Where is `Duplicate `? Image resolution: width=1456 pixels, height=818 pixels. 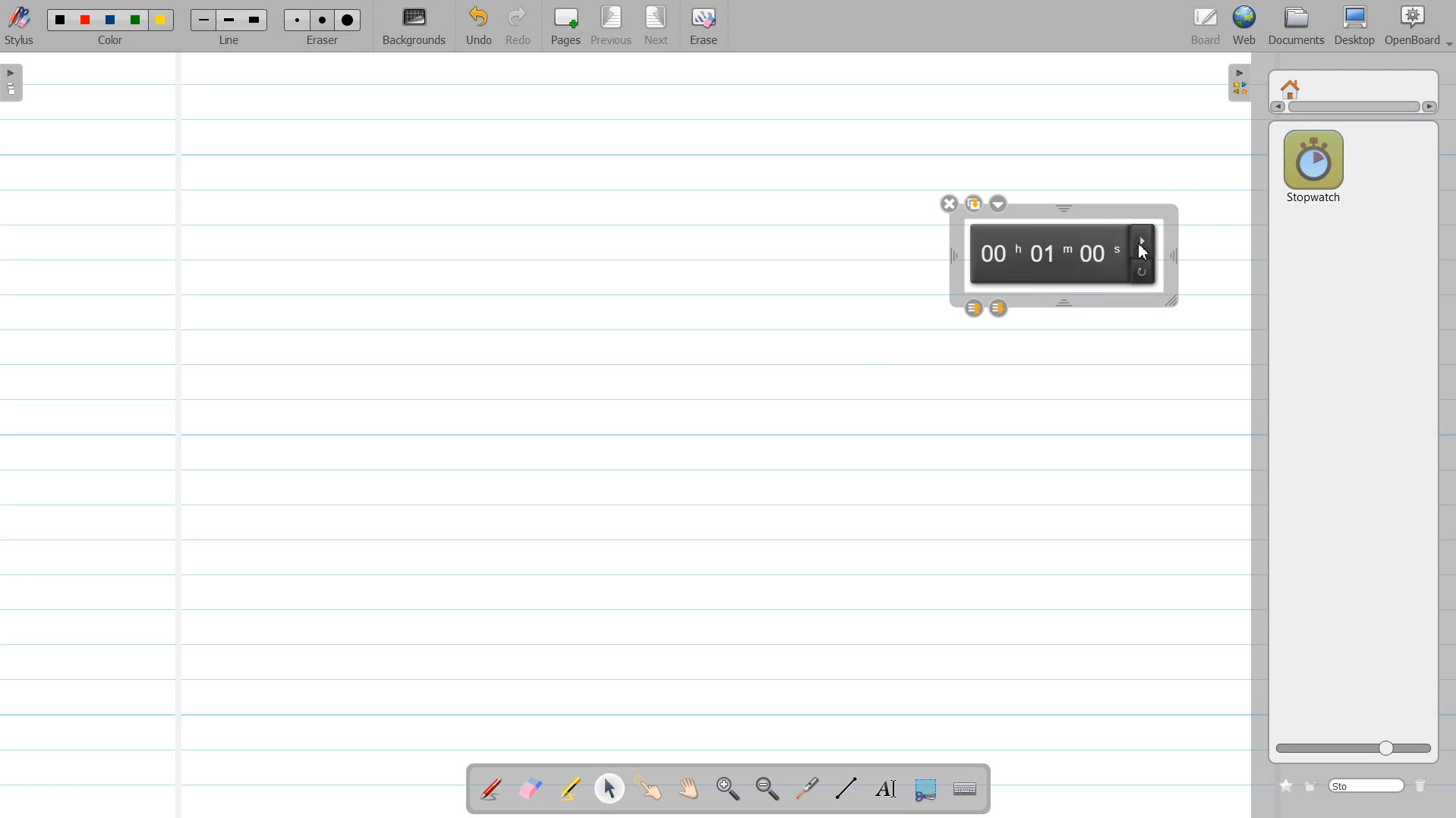 Duplicate  is located at coordinates (972, 203).